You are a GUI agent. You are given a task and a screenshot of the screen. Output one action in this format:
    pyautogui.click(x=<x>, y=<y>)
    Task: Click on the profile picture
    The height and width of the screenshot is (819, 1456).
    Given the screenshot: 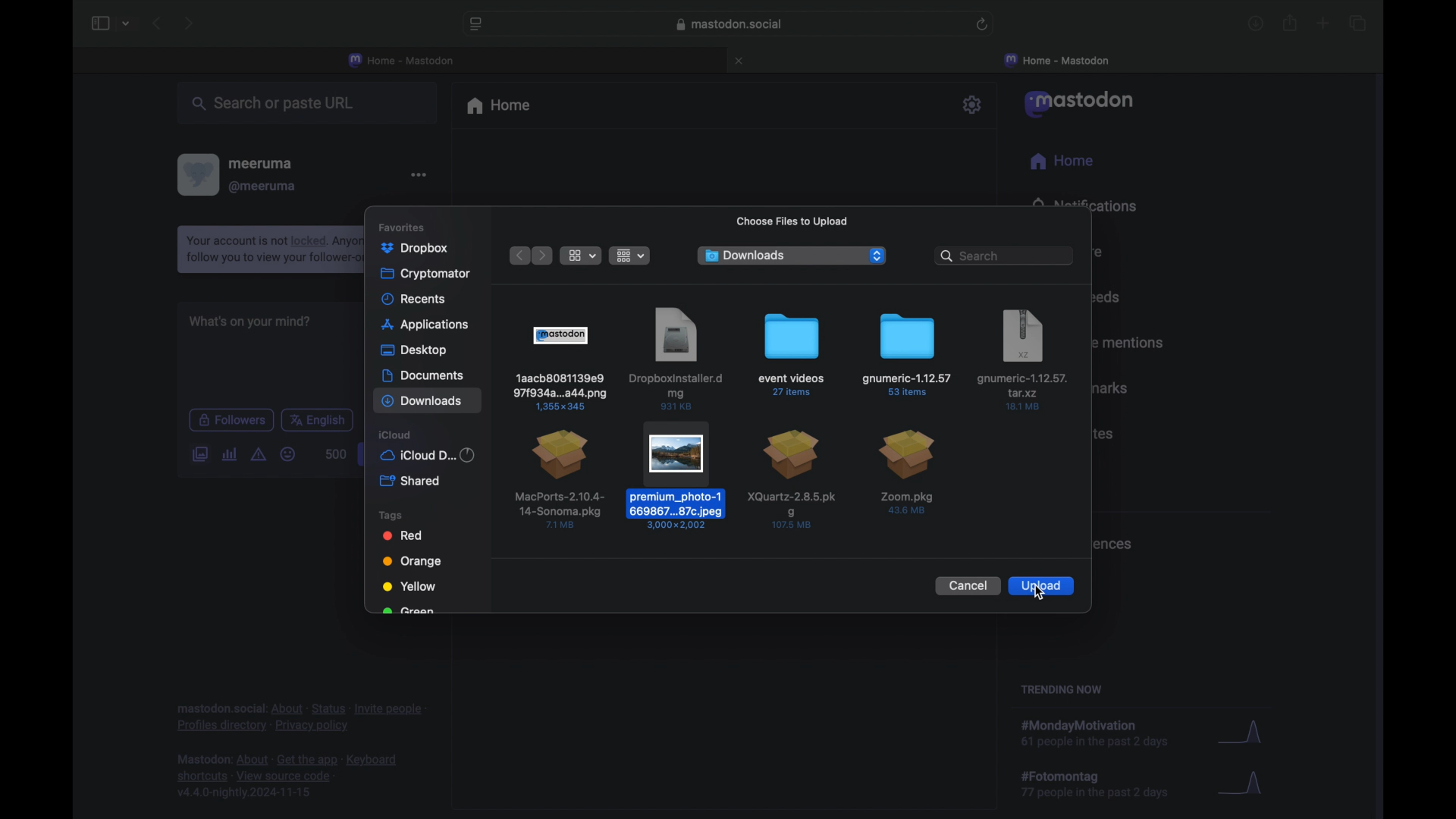 What is the action you would take?
    pyautogui.click(x=197, y=174)
    